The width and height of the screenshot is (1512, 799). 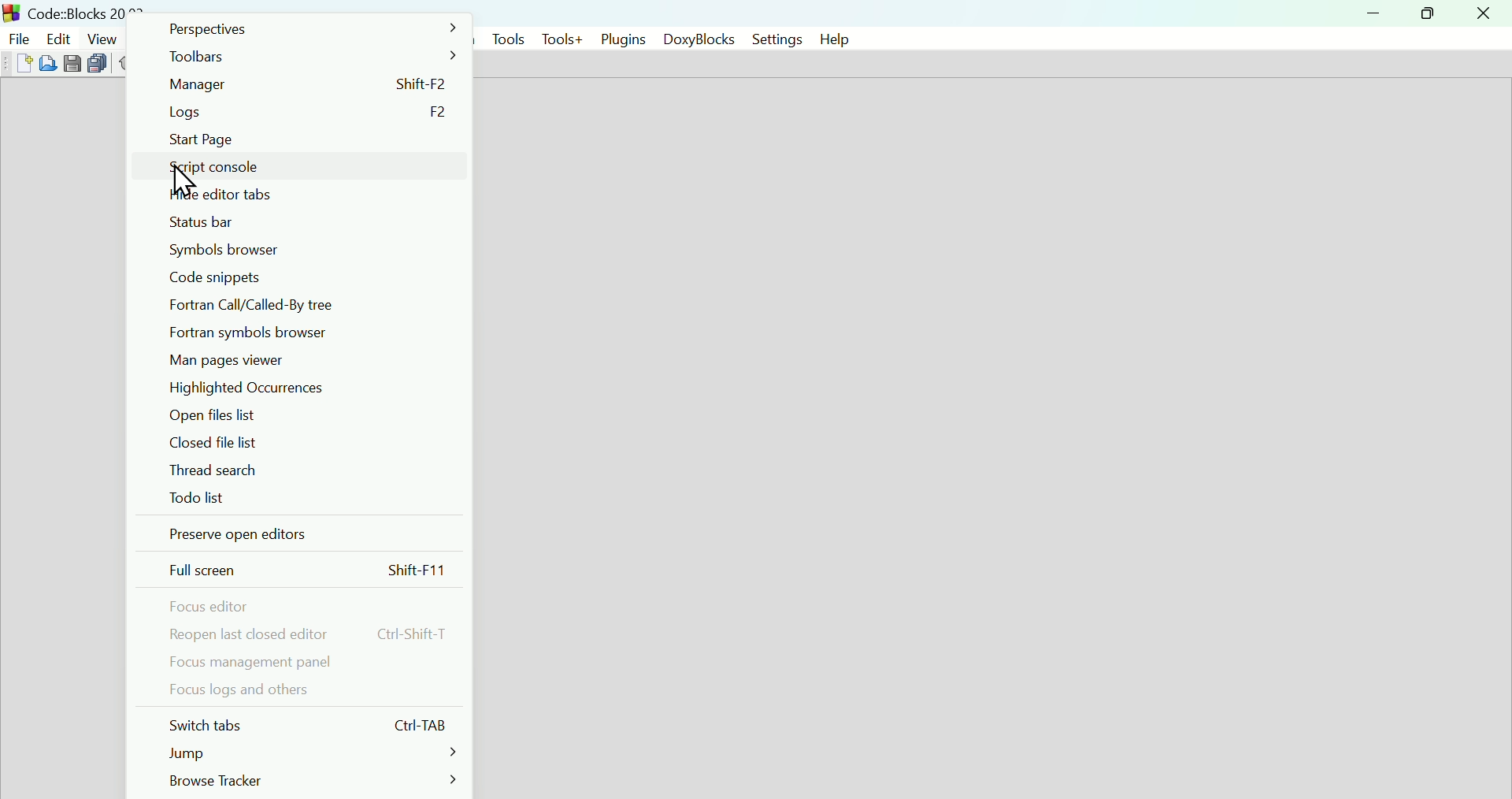 What do you see at coordinates (303, 332) in the screenshot?
I see `Fortran symbols browser` at bounding box center [303, 332].